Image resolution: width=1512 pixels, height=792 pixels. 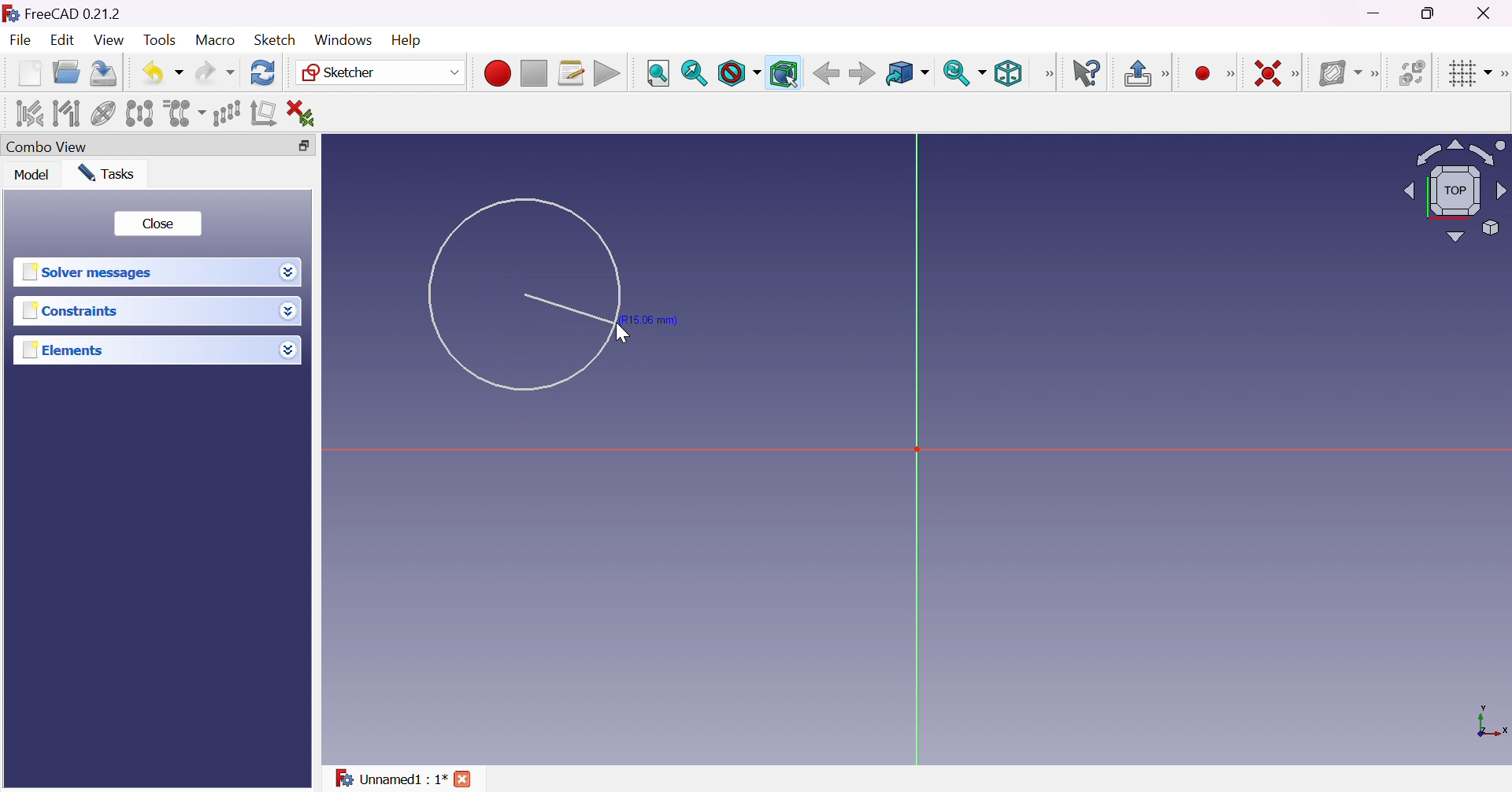 I want to click on Create point, so click(x=1203, y=74).